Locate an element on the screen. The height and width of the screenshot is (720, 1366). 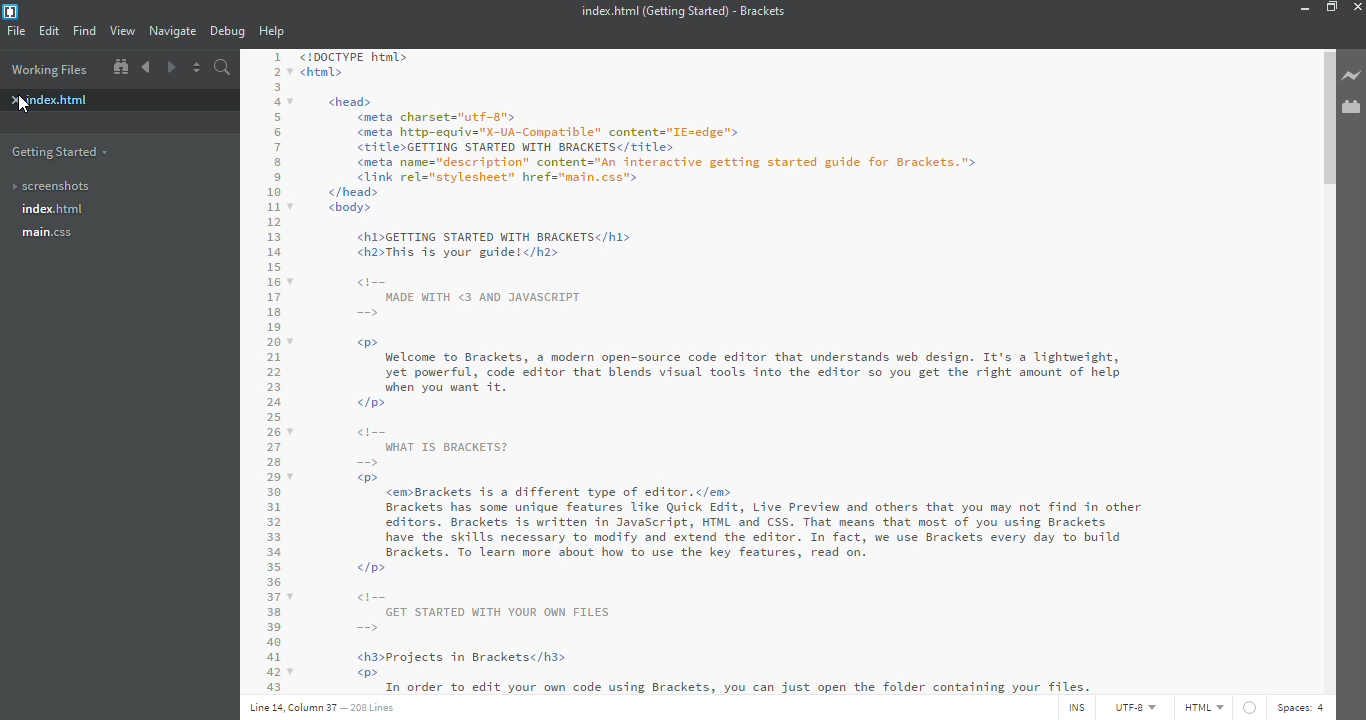
!DOCTYPE html>
html>
<head>
<meta charset="utf-">
<meta http-equiv="x-UA-Compatible" content="I¢=edge">
<EIE1eGETTING STARTED WITH BRACKETS</title>
<meta name="description” contents="An interactive getting started guide for Brackets."
<link rel="stylesheet” href="main.css">
</head>
<body>
<h1>GETTING STARTED WITH BRACKETS</hl>
<h2>This 1s your guide! </h2>
cii=
WADE WITH <3 AND JAVASCRIPT
w»
Welcome to Brackets, a modern open-source code editor that understands web design. It's a lightweight,
yet powerful, code editor that blends visual tools into the editor so you get the right amount of help
when you want it.
p>
Gi
WHAT I BRACKETS? is located at coordinates (742, 256).